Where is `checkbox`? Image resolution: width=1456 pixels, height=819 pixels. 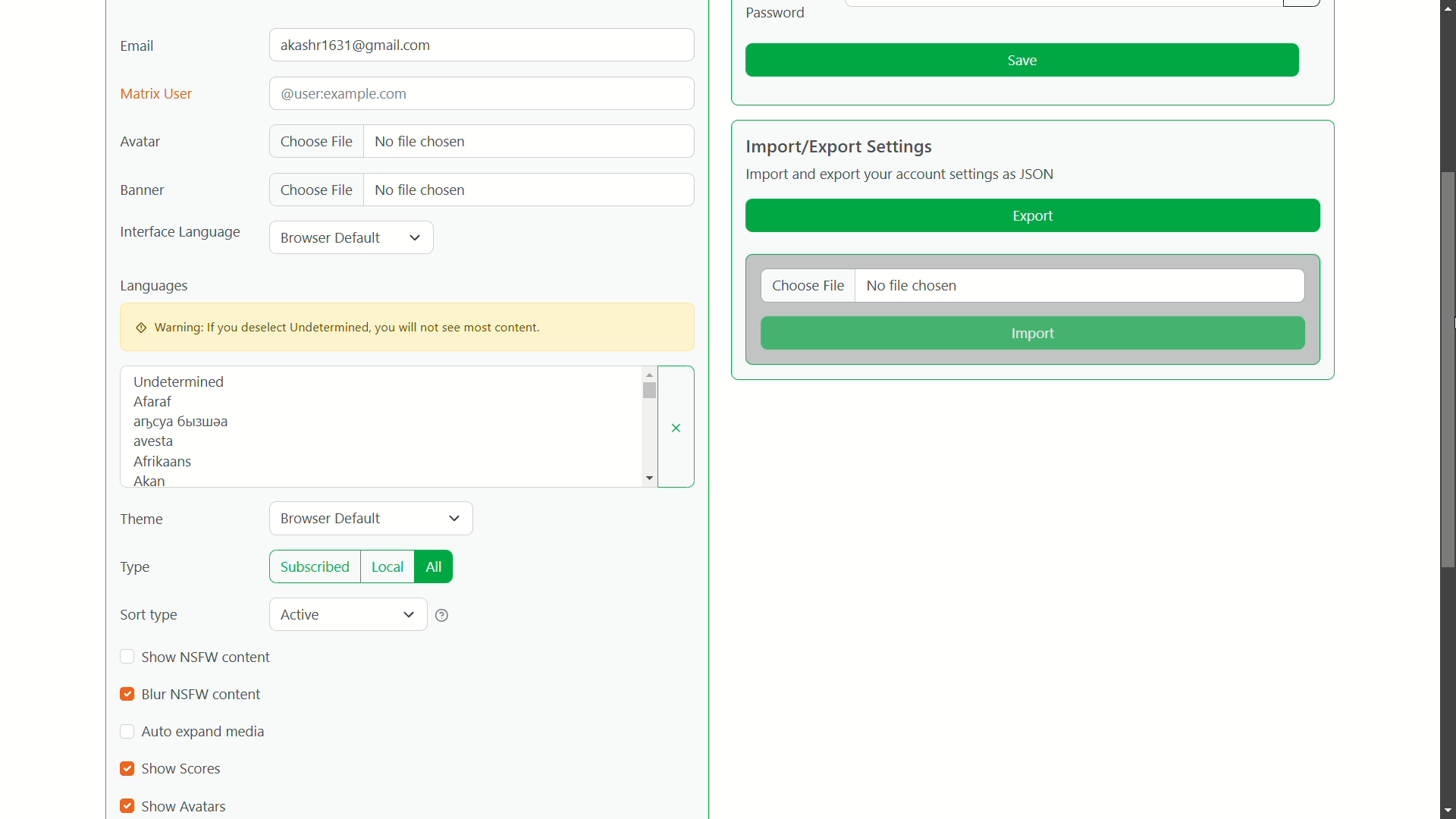
checkbox is located at coordinates (126, 806).